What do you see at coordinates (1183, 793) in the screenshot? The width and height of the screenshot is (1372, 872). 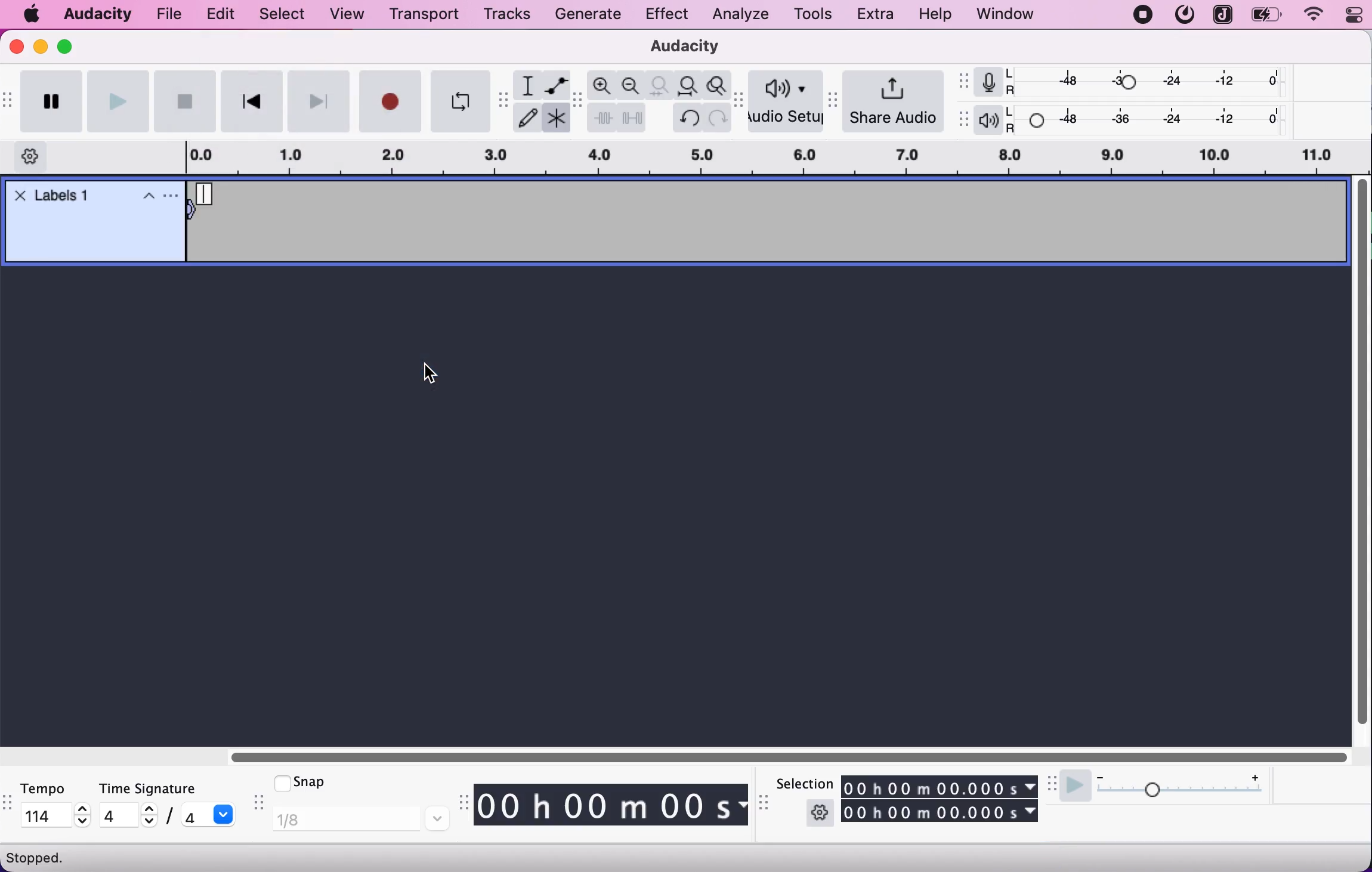 I see `playback speed` at bounding box center [1183, 793].